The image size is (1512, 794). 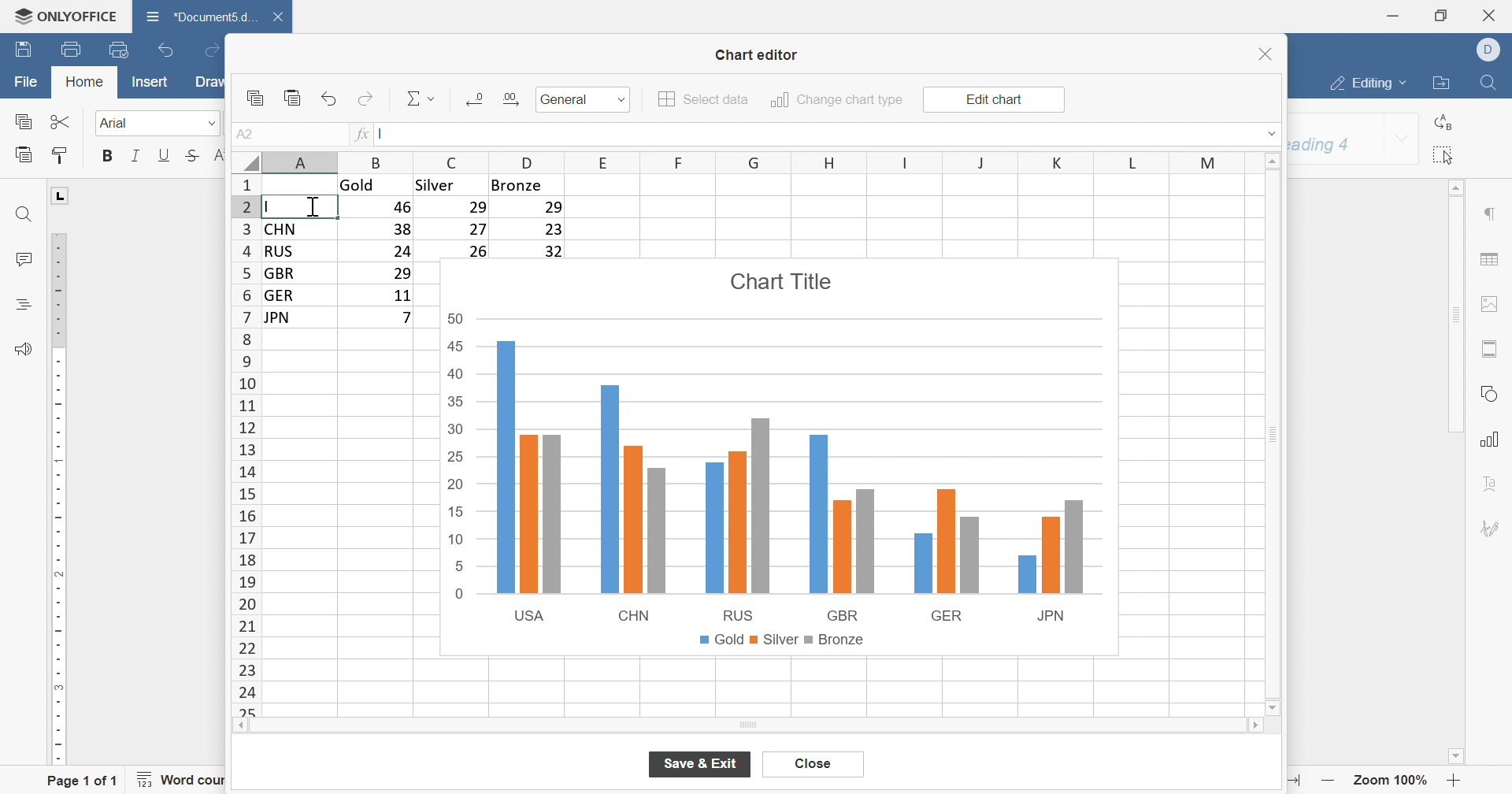 I want to click on save, so click(x=24, y=50).